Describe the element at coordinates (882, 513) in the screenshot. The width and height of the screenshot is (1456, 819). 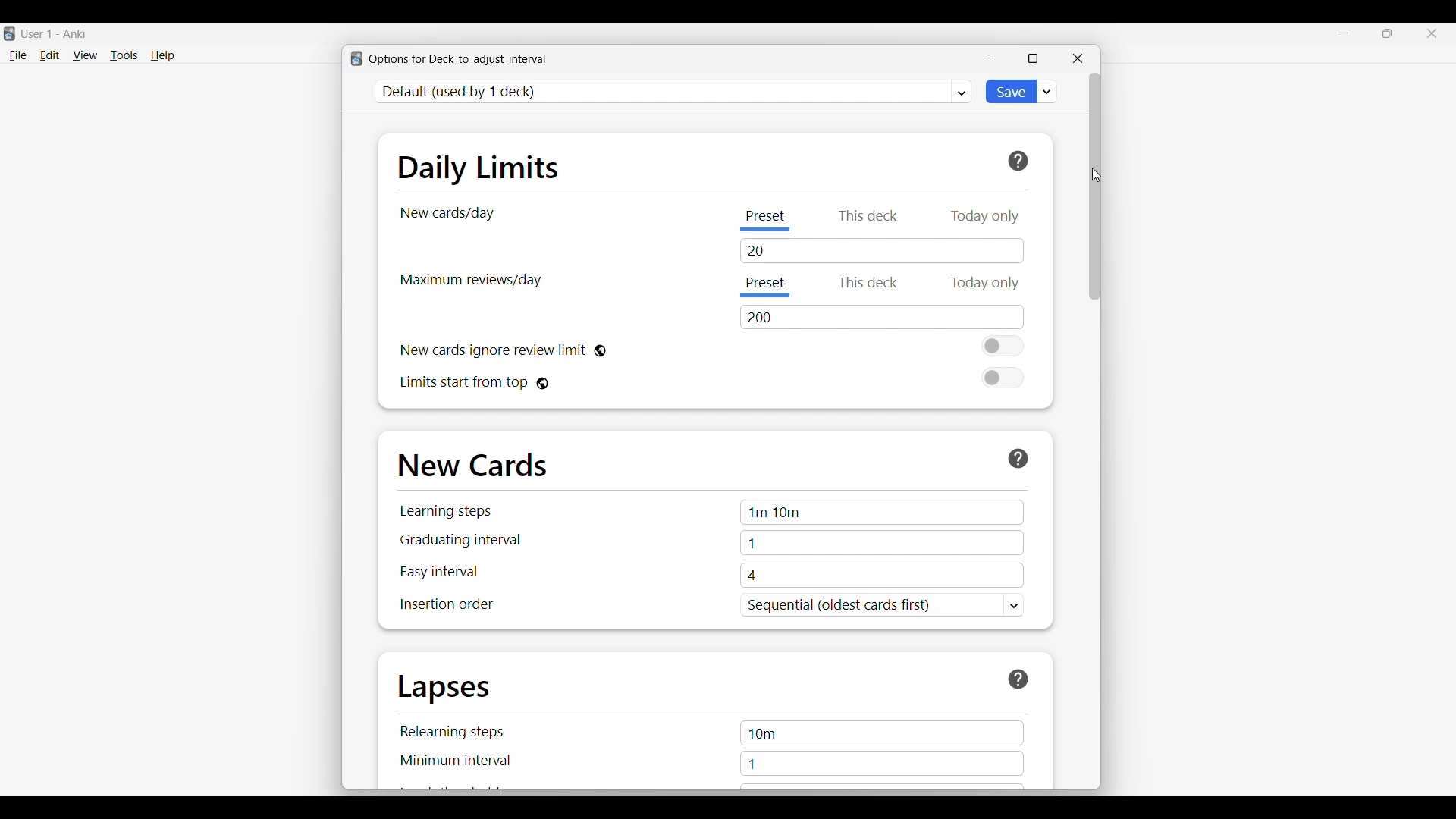
I see `1m 10m` at that location.